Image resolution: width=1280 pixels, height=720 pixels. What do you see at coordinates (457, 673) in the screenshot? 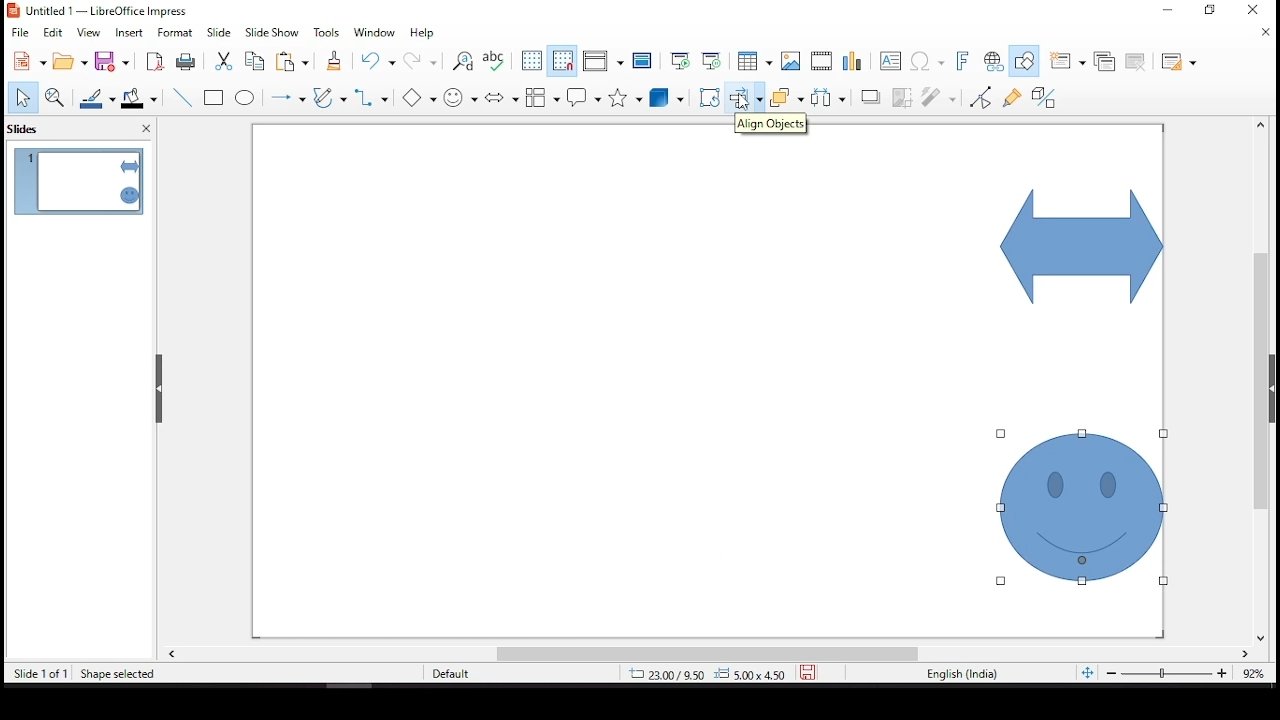
I see `default` at bounding box center [457, 673].